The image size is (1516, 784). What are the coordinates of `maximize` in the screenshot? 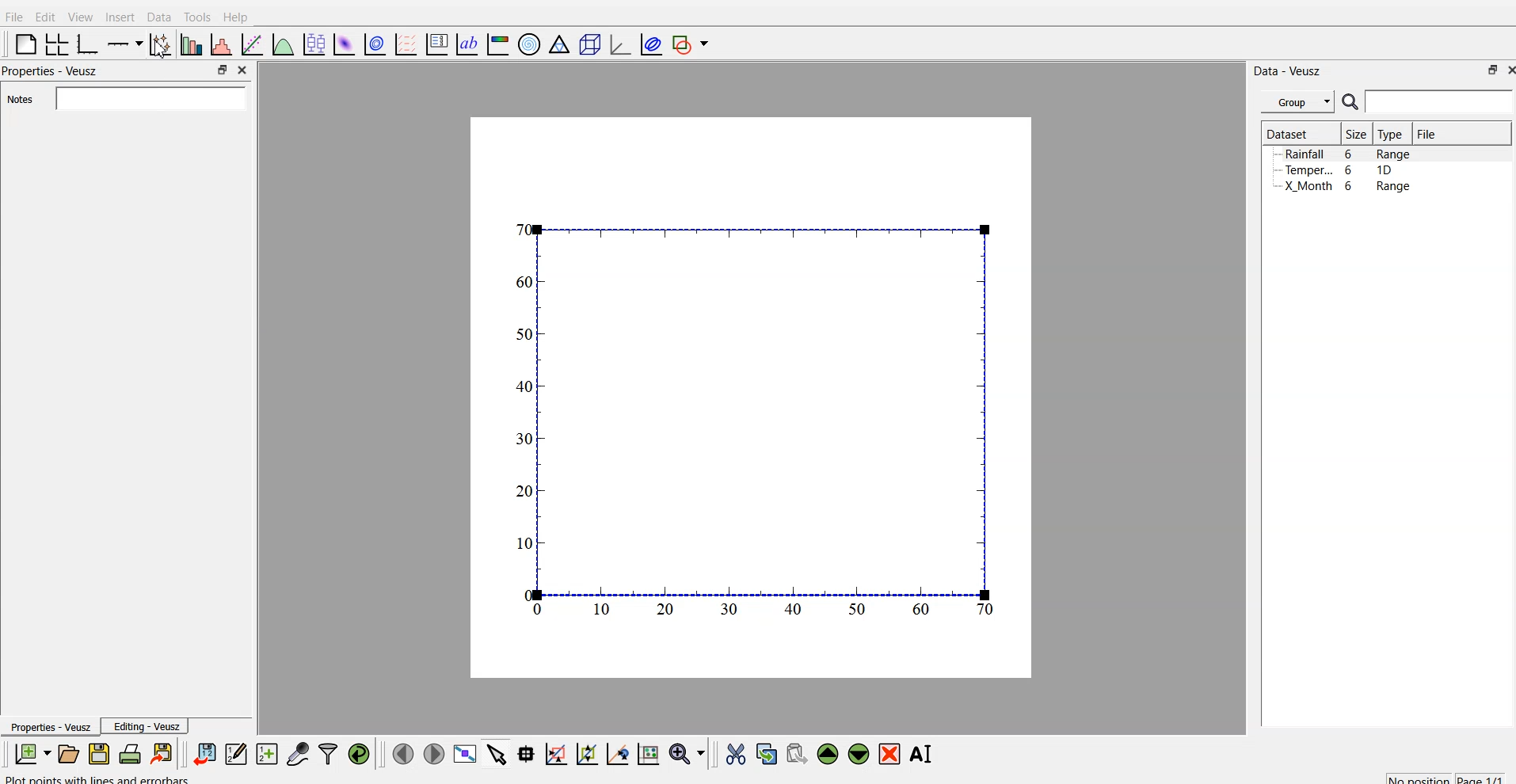 It's located at (1488, 72).